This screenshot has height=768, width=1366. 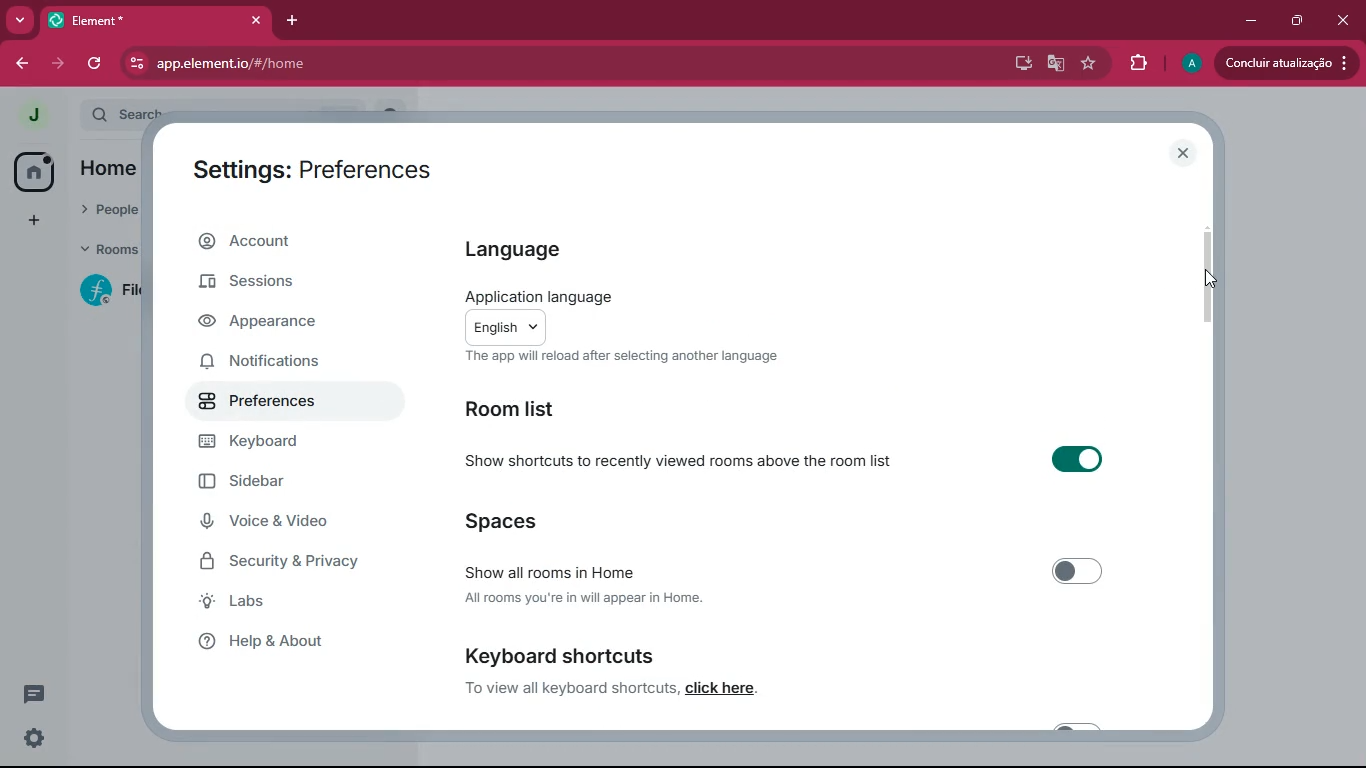 I want to click on extensions, so click(x=1135, y=63).